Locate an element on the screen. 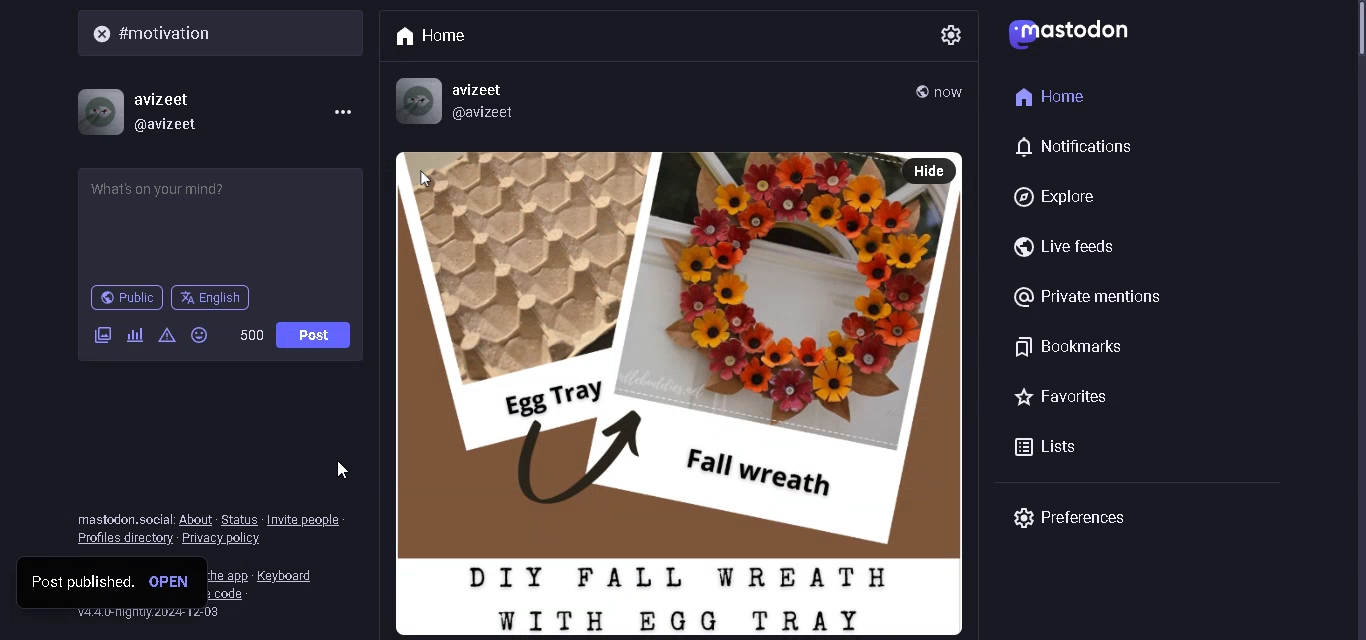 The width and height of the screenshot is (1366, 640). avizeet is located at coordinates (482, 89).